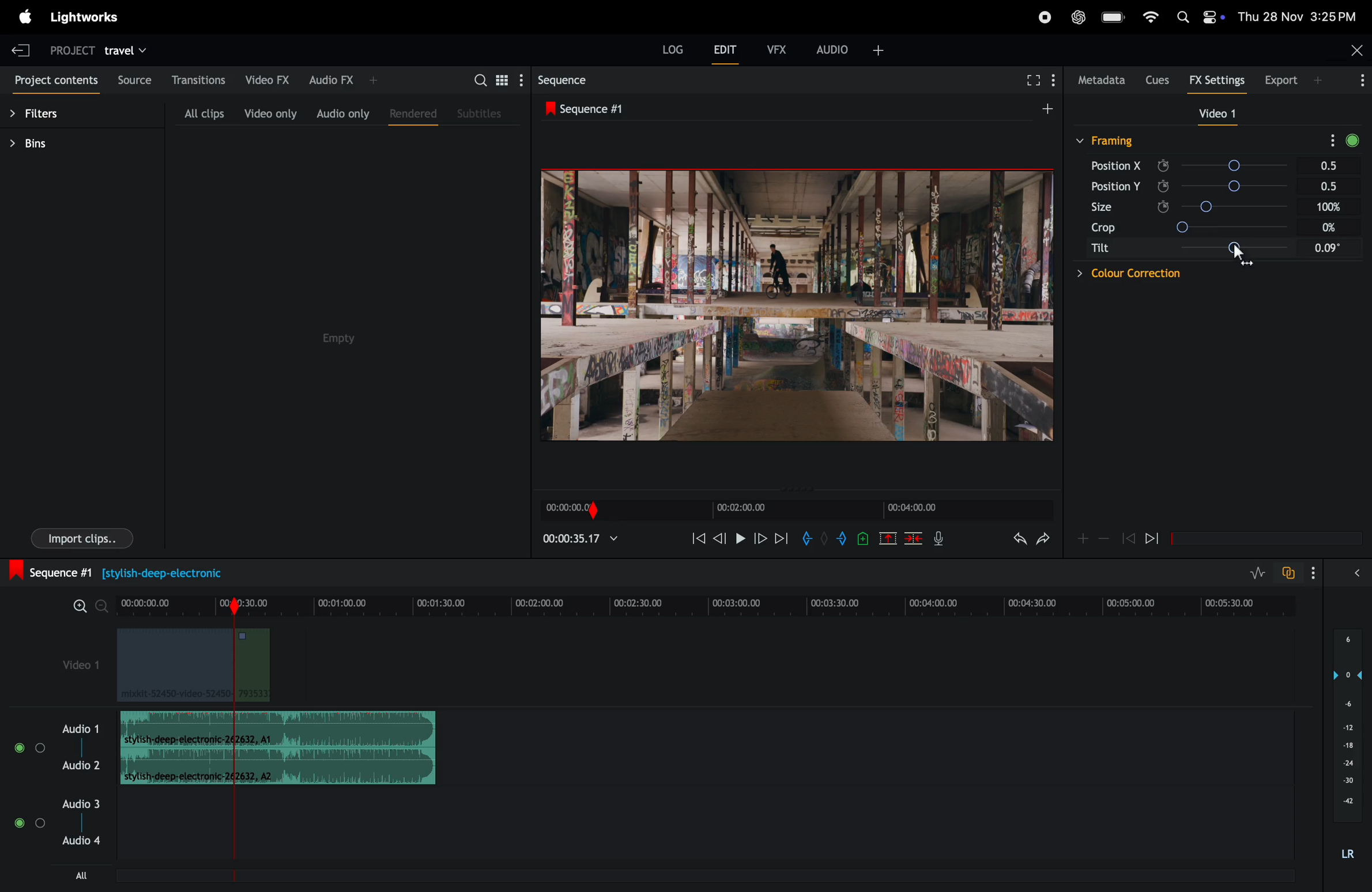  What do you see at coordinates (46, 143) in the screenshot?
I see `bins` at bounding box center [46, 143].